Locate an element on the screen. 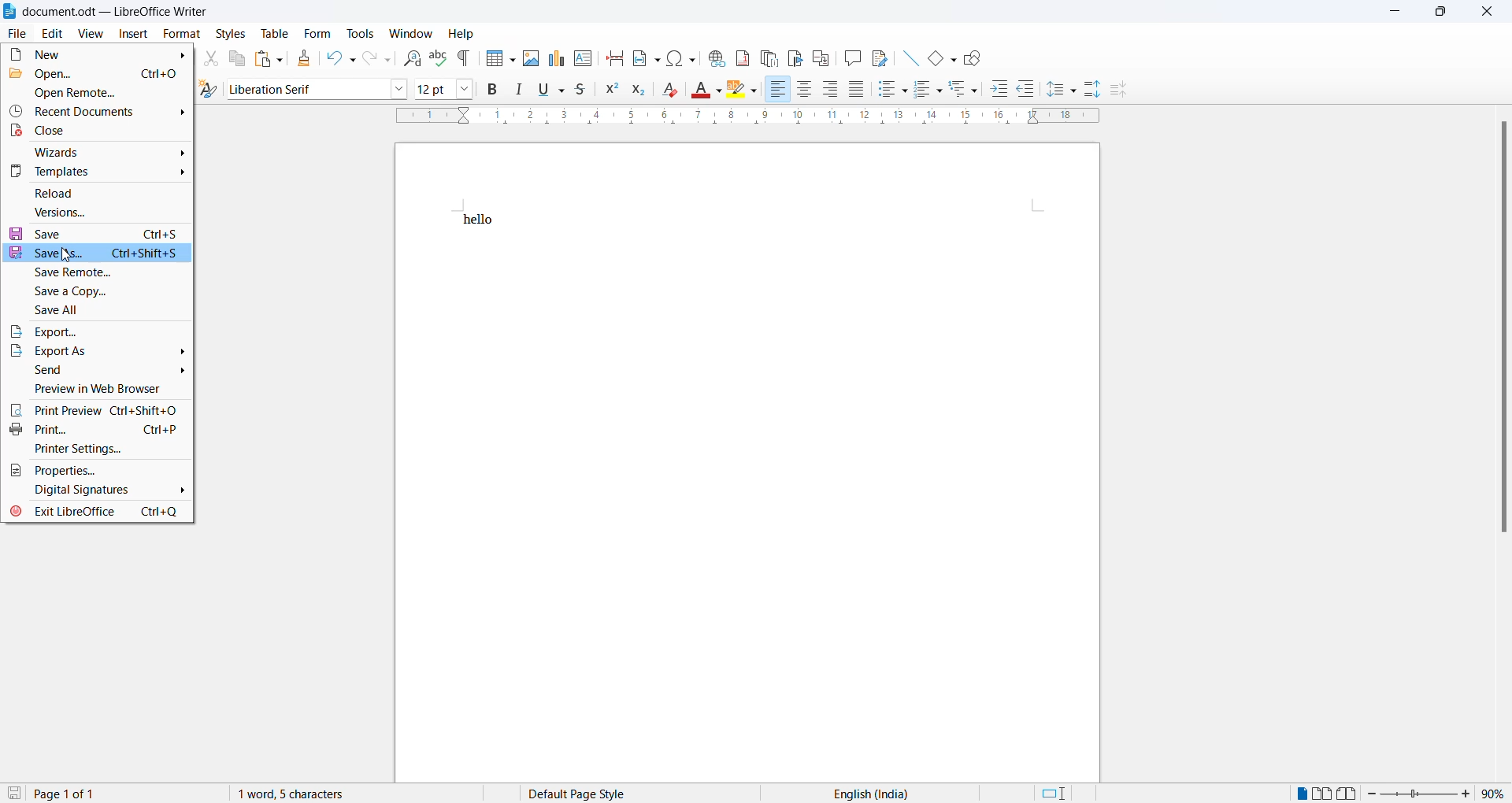 This screenshot has height=803, width=1512. Subscript is located at coordinates (636, 92).